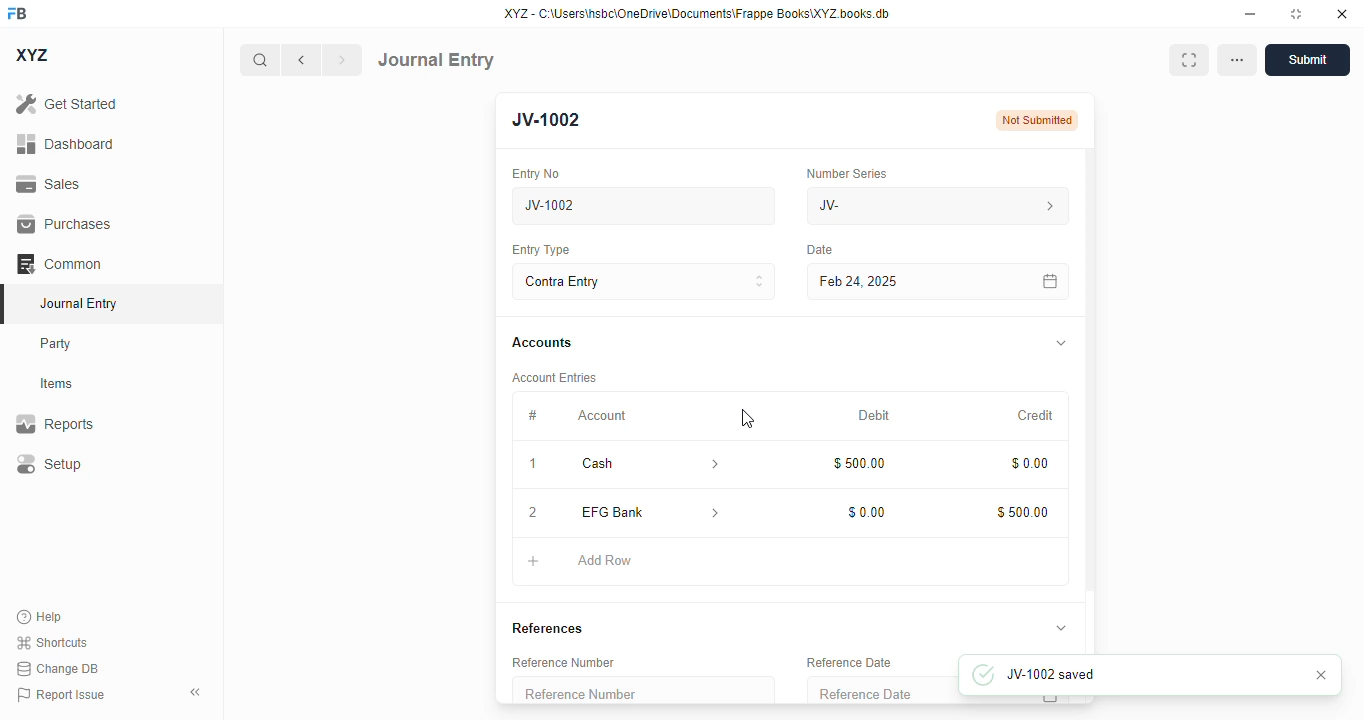 Image resolution: width=1364 pixels, height=720 pixels. Describe the element at coordinates (61, 694) in the screenshot. I see `report issue` at that location.